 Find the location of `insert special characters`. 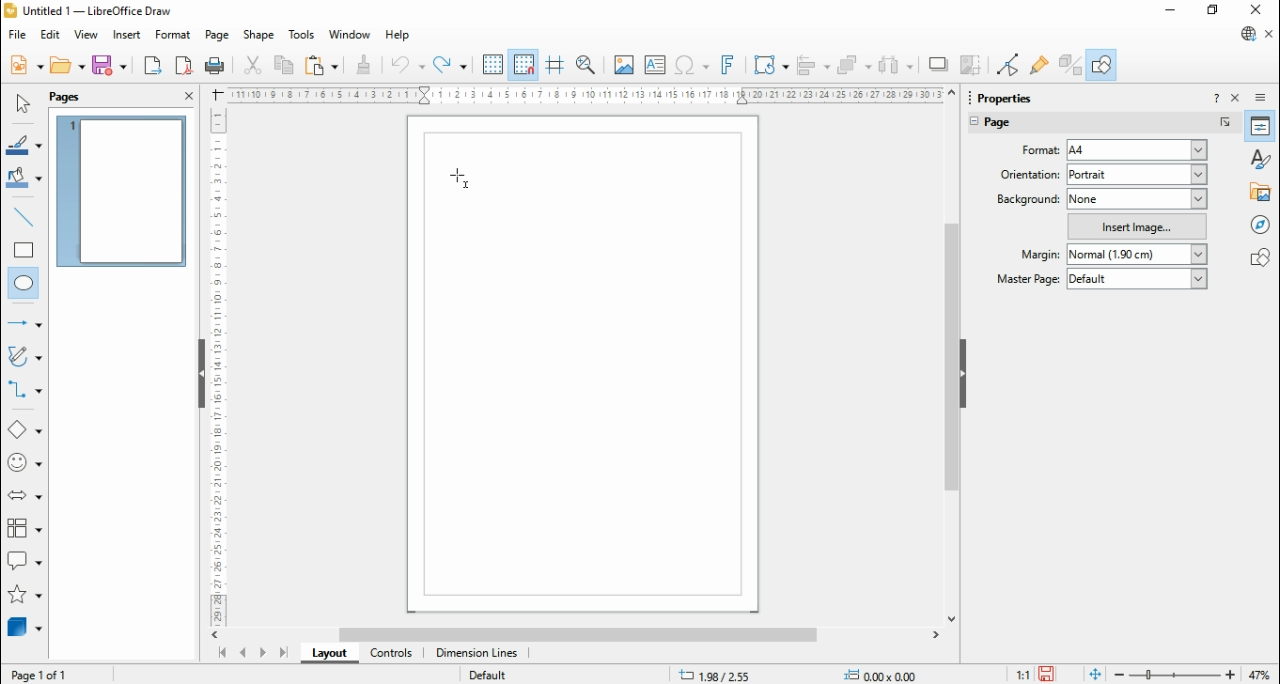

insert special characters is located at coordinates (693, 64).